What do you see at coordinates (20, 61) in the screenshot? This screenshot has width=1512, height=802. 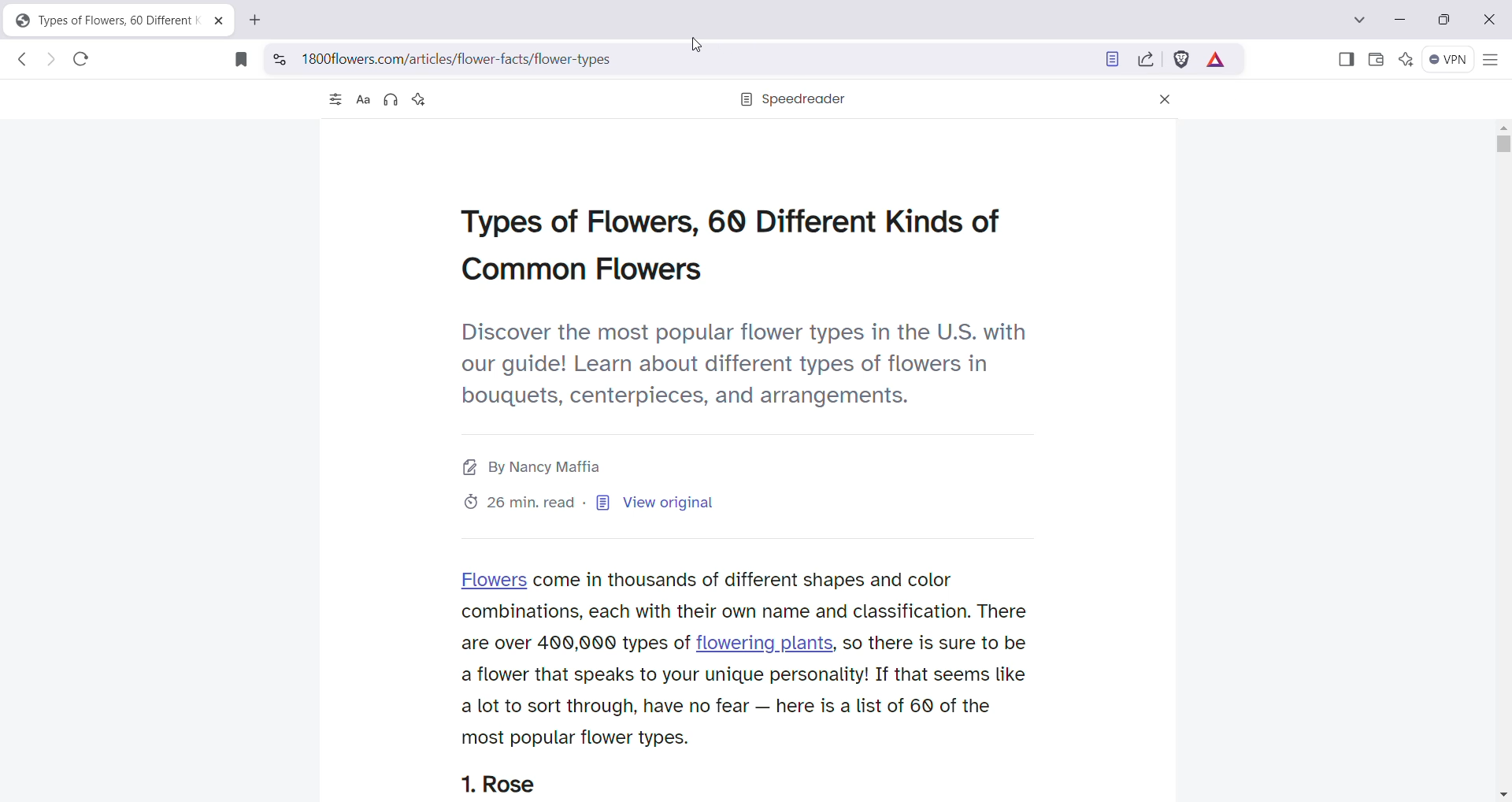 I see `Click to go back, hold to see history` at bounding box center [20, 61].